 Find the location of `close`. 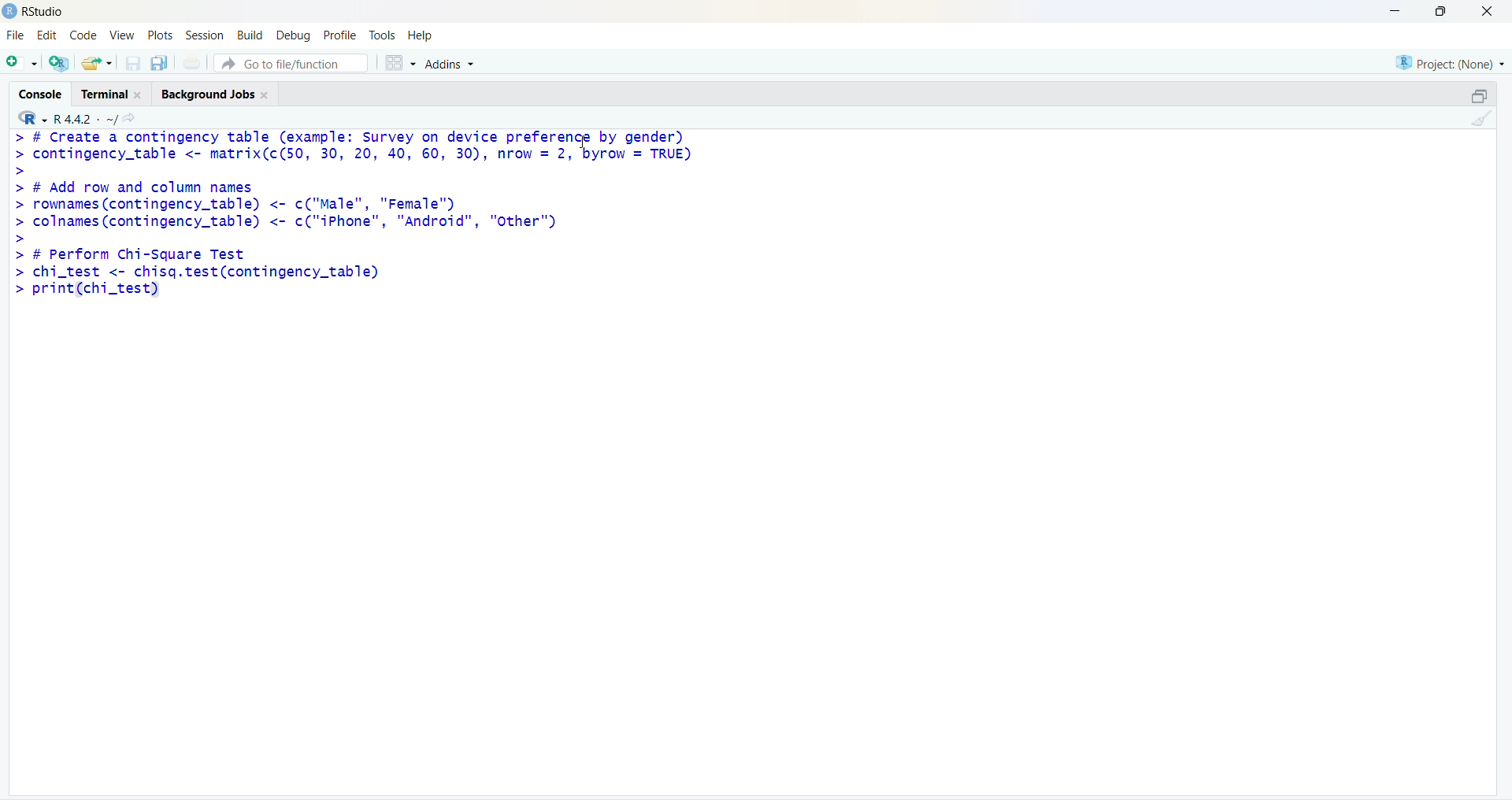

close is located at coordinates (139, 95).